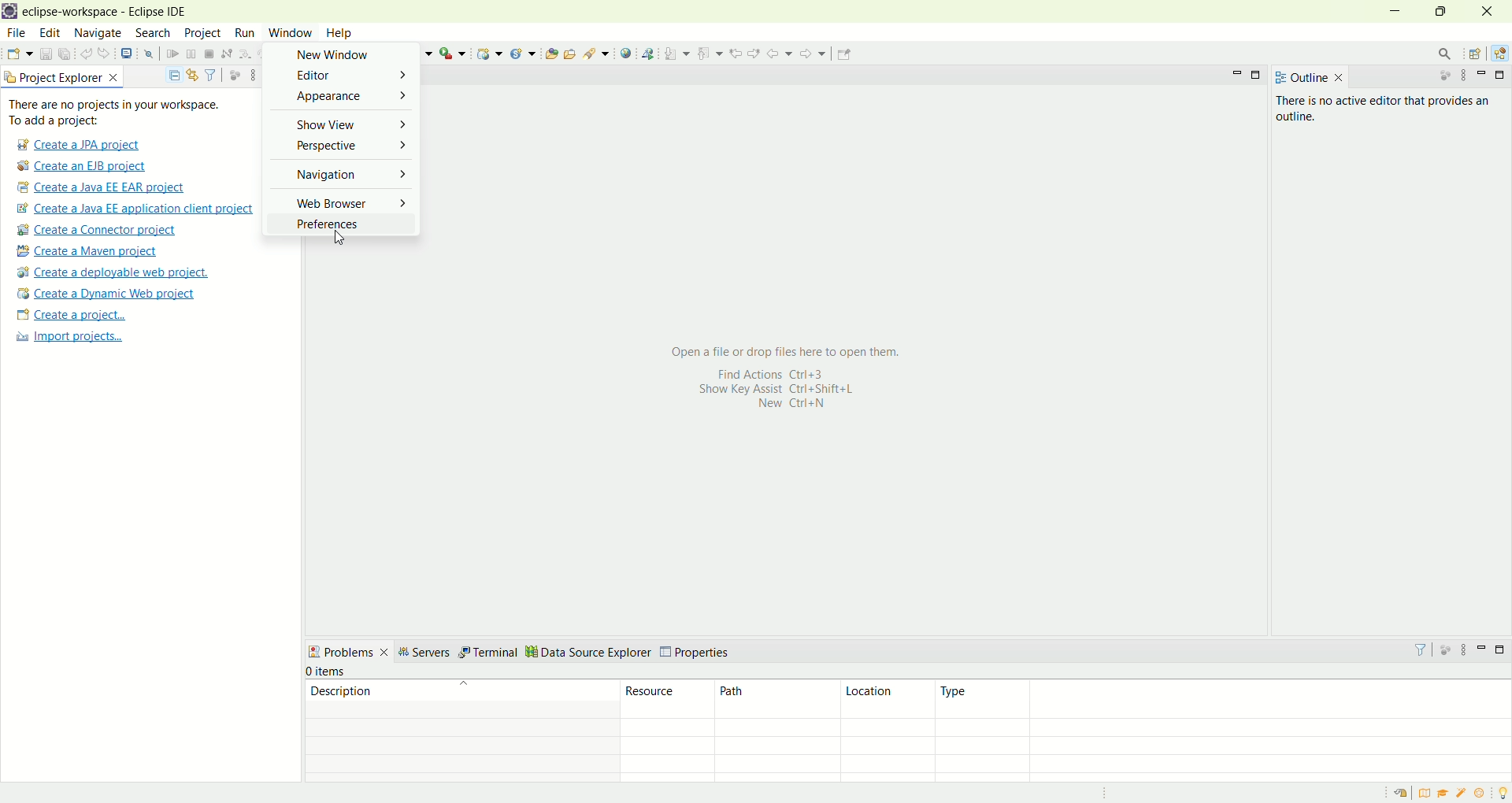 Image resolution: width=1512 pixels, height=803 pixels. What do you see at coordinates (1503, 649) in the screenshot?
I see `maximize` at bounding box center [1503, 649].